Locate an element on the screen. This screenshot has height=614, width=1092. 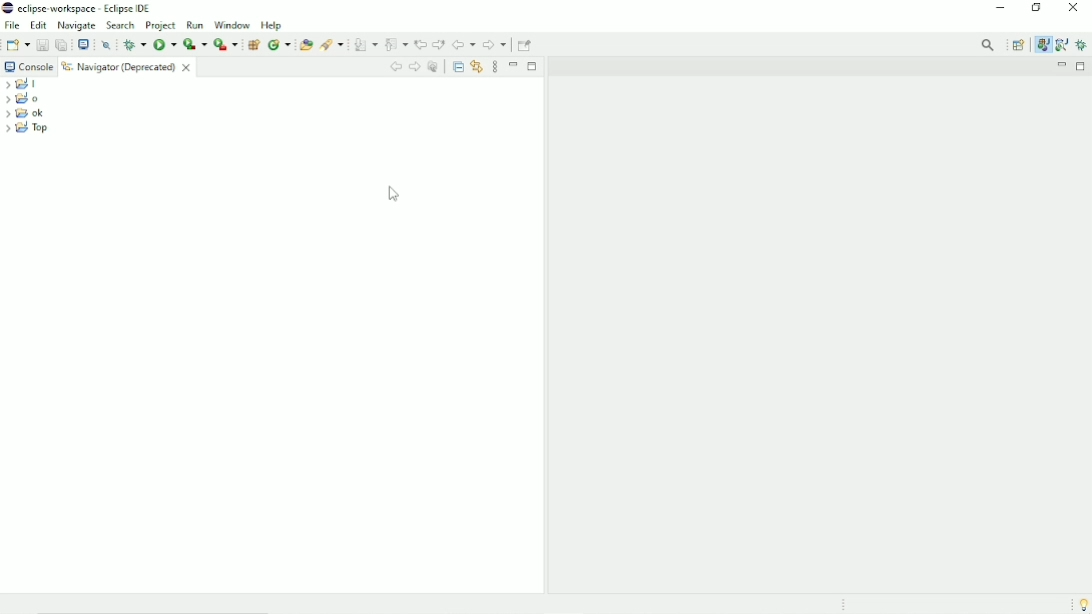
Maximize is located at coordinates (532, 66).